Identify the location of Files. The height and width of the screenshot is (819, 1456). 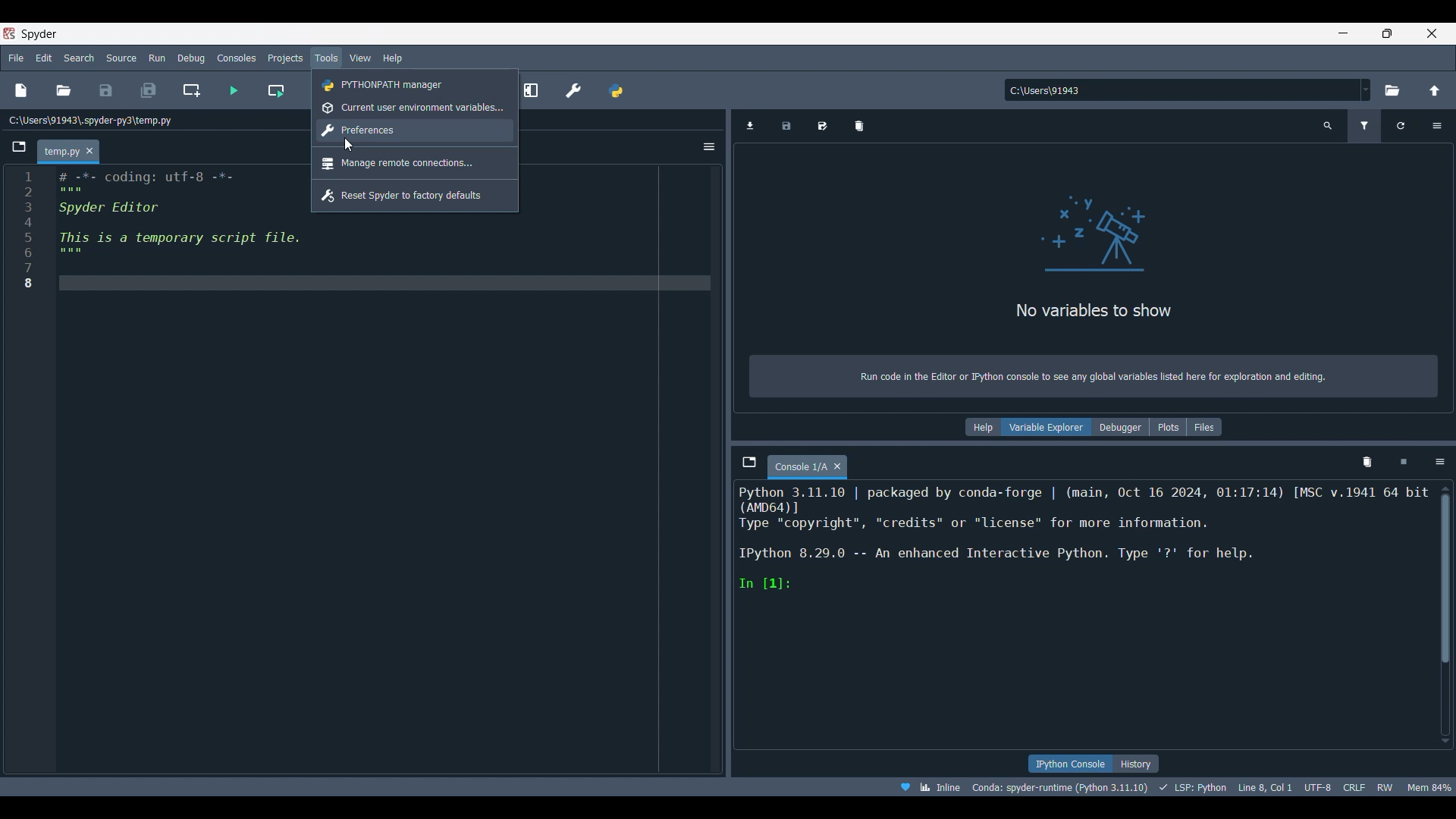
(1204, 427).